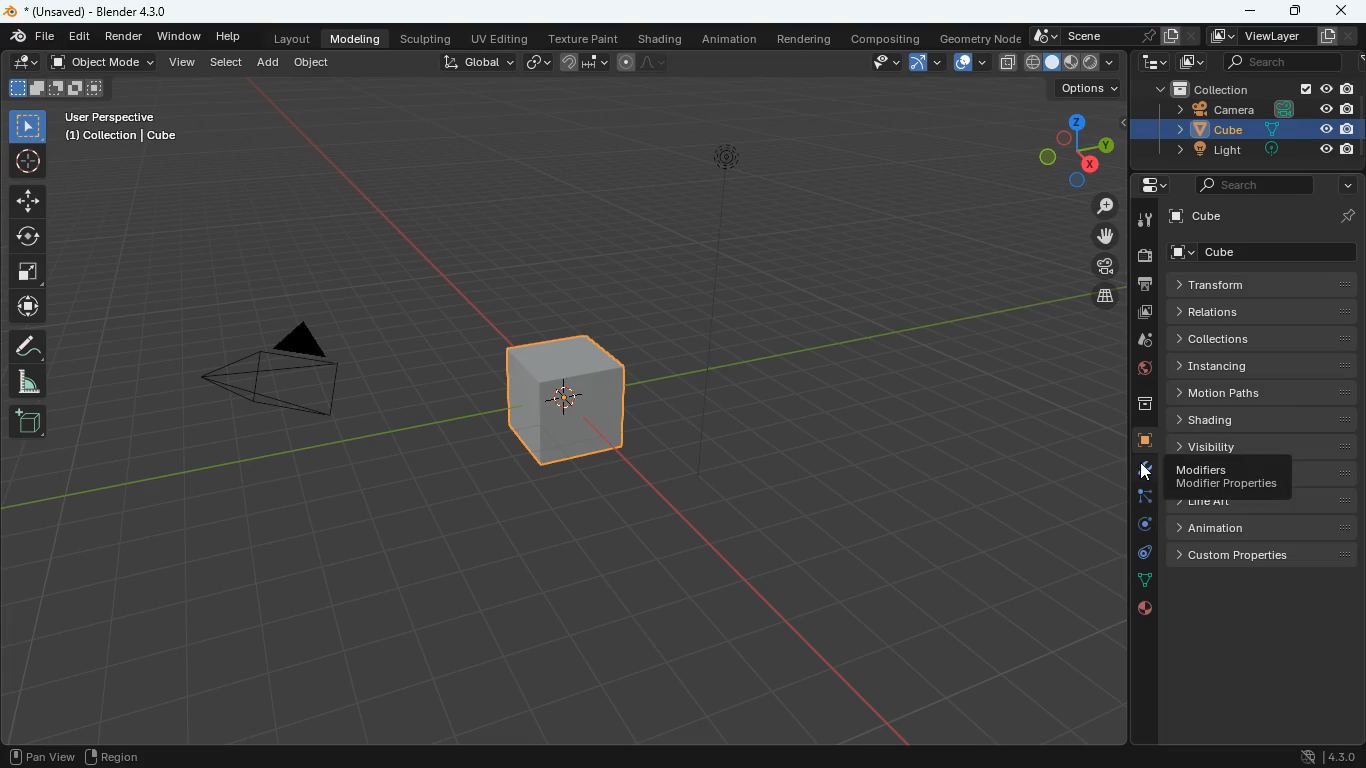 This screenshot has height=768, width=1366. Describe the element at coordinates (1267, 367) in the screenshot. I see `instancing` at that location.